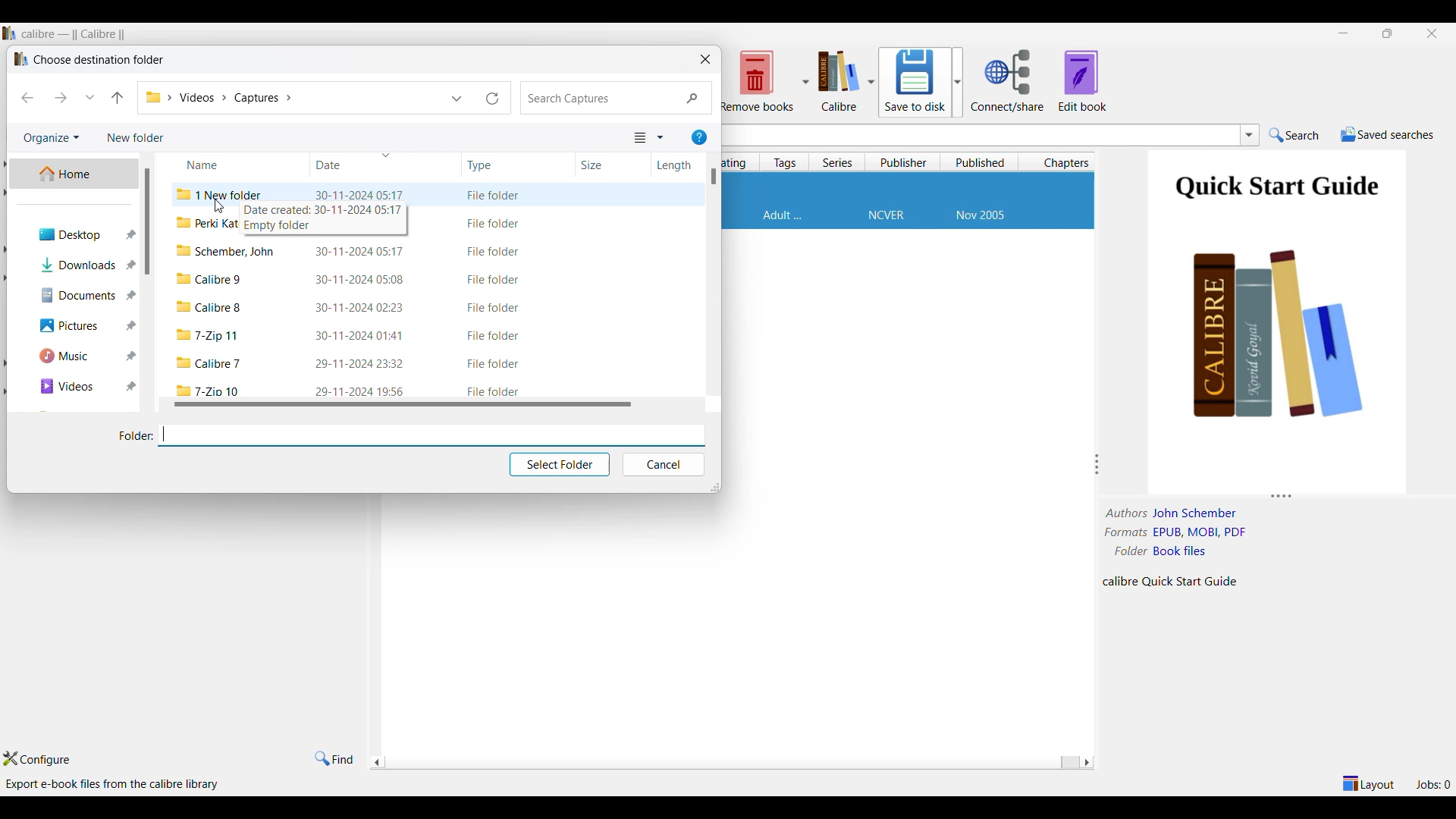 The width and height of the screenshot is (1456, 819). Describe the element at coordinates (728, 764) in the screenshot. I see `Horizontal slide bar` at that location.